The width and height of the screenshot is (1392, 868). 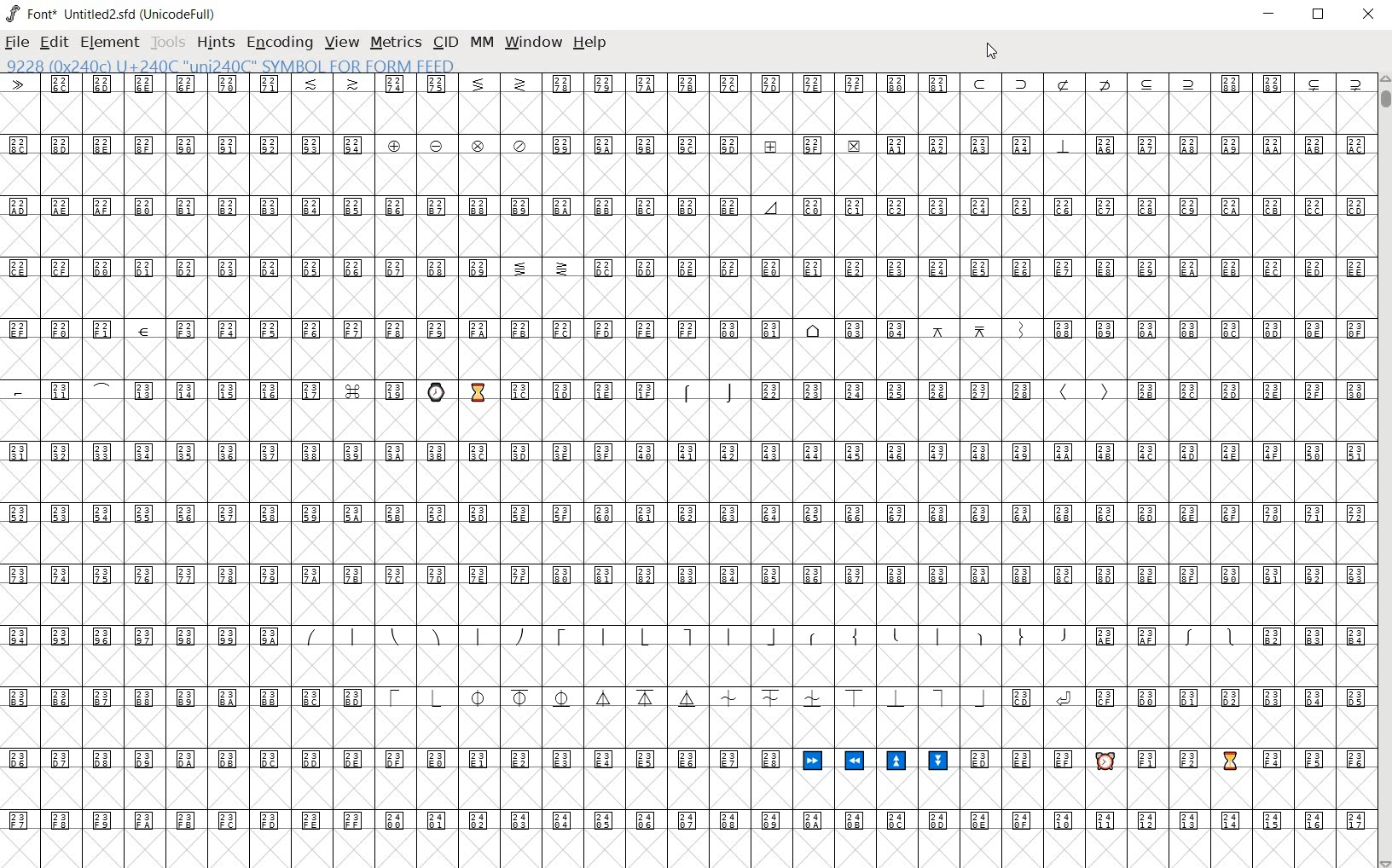 What do you see at coordinates (1368, 16) in the screenshot?
I see `close` at bounding box center [1368, 16].